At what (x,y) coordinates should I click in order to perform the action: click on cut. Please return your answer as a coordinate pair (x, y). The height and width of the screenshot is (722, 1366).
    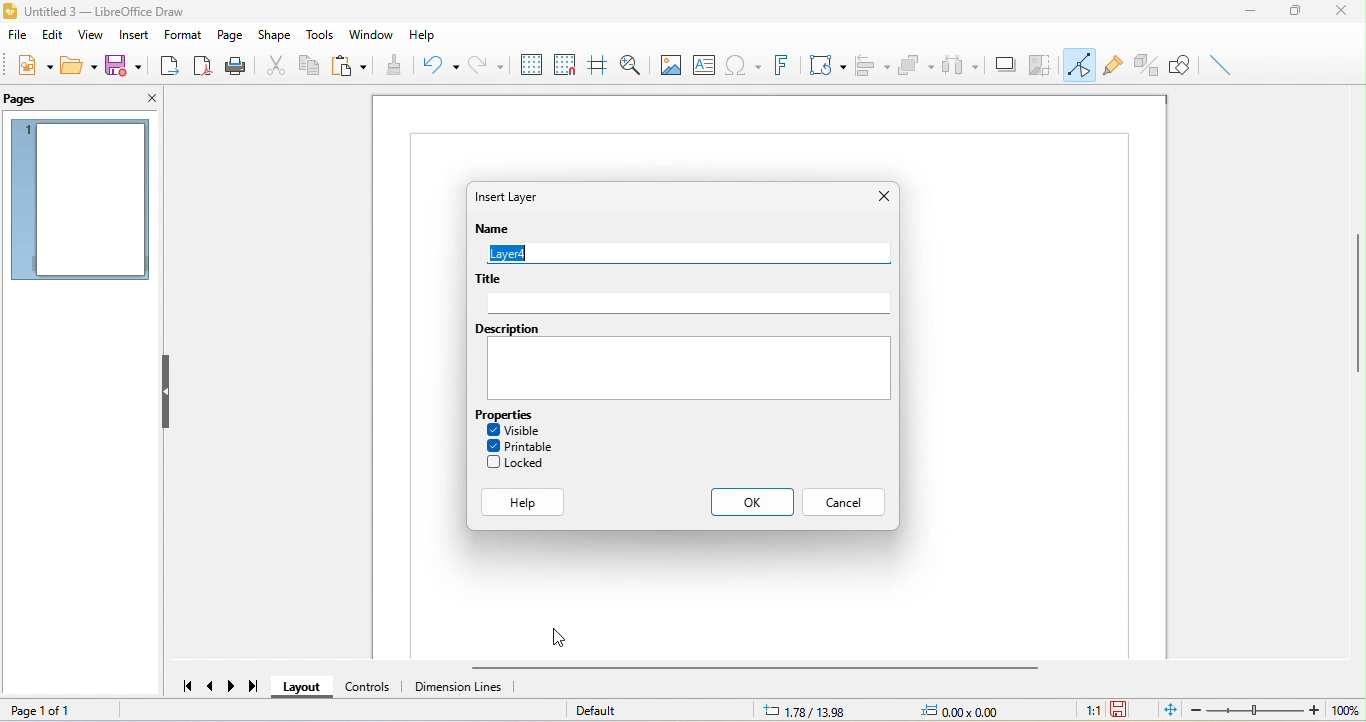
    Looking at the image, I should click on (276, 65).